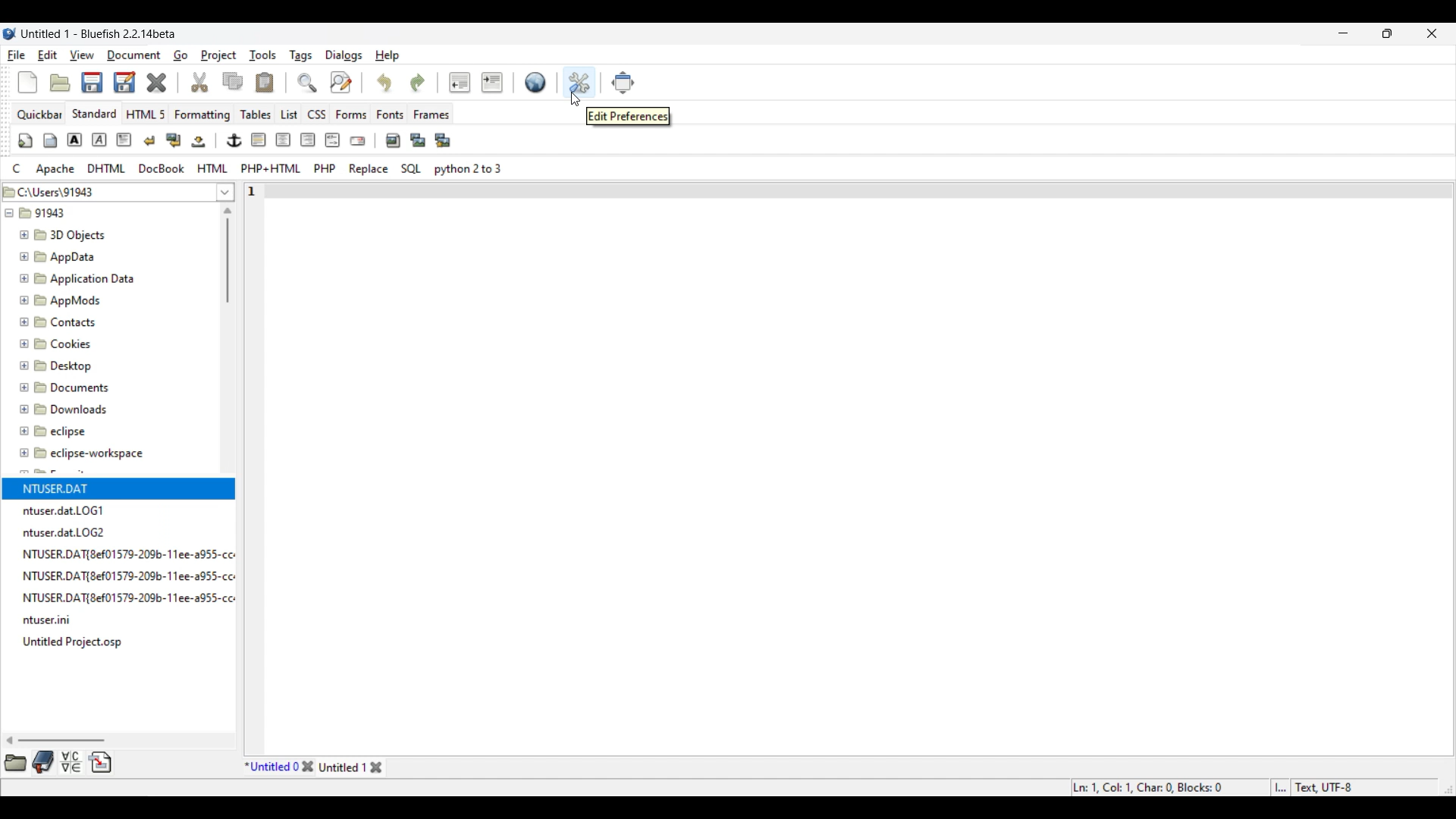  I want to click on File menu, so click(17, 55).